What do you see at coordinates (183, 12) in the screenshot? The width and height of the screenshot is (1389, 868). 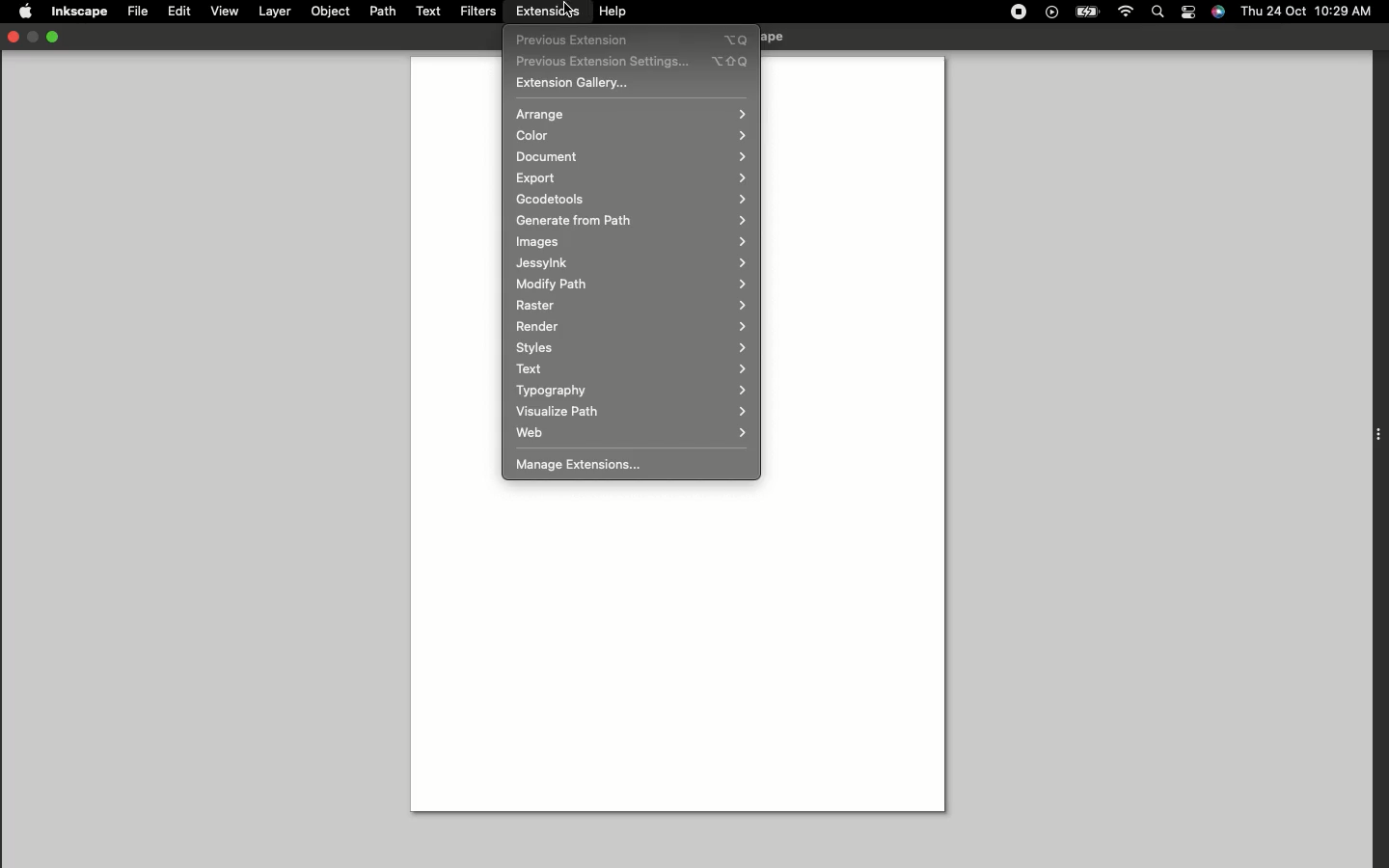 I see `Edit` at bounding box center [183, 12].